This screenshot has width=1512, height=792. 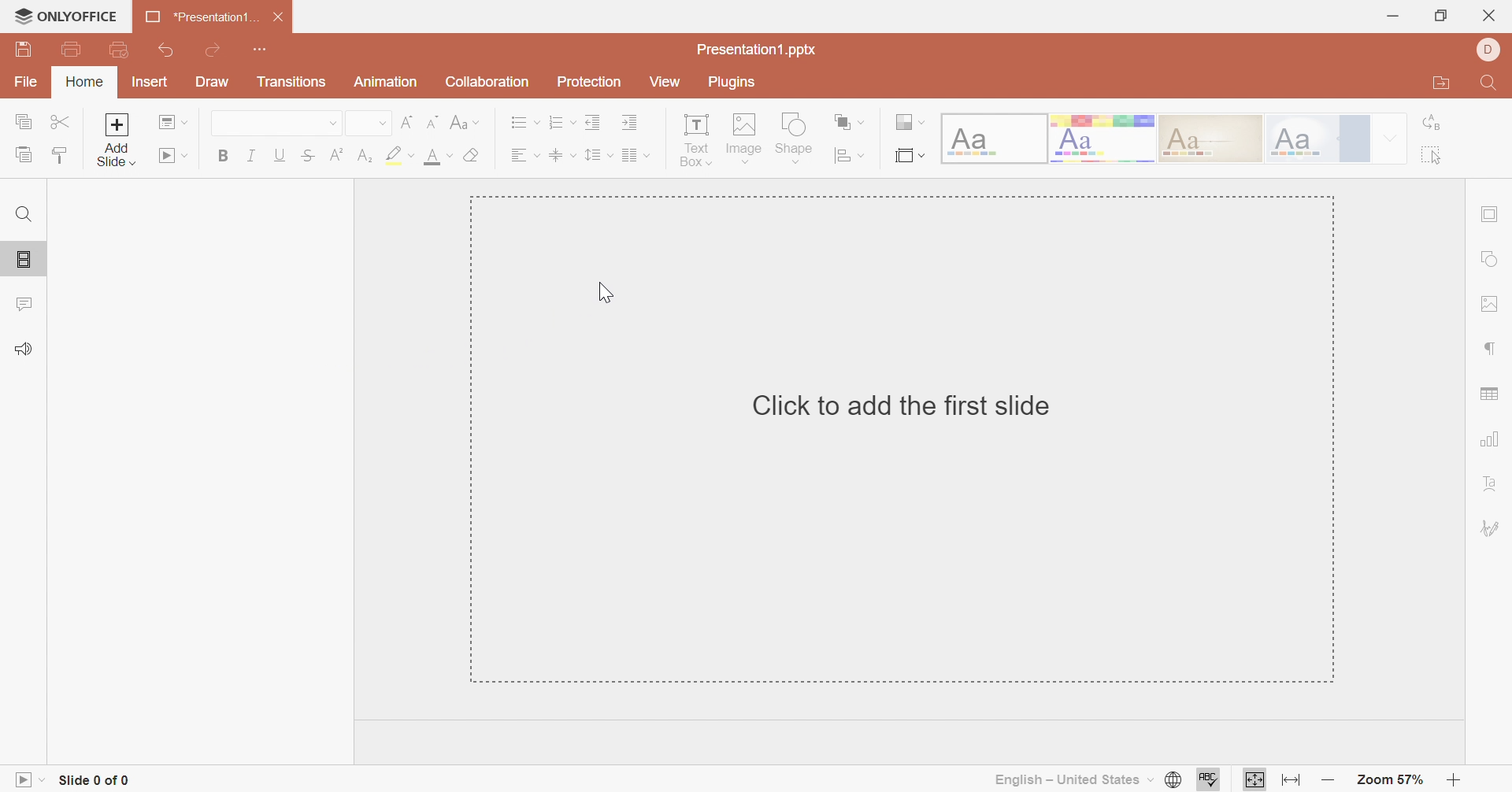 I want to click on Drop Down, so click(x=925, y=155).